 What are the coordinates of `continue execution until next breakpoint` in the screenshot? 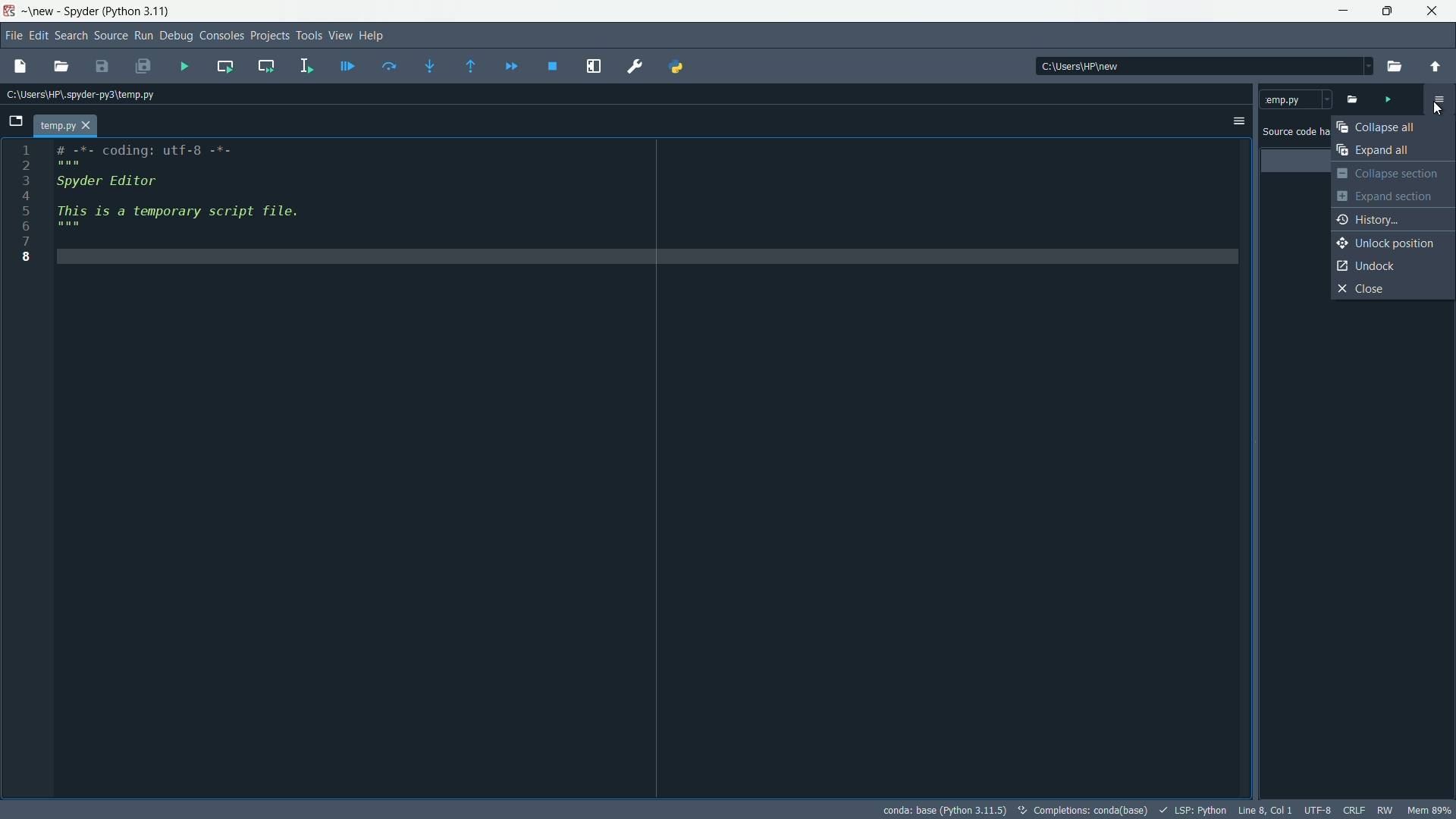 It's located at (512, 65).